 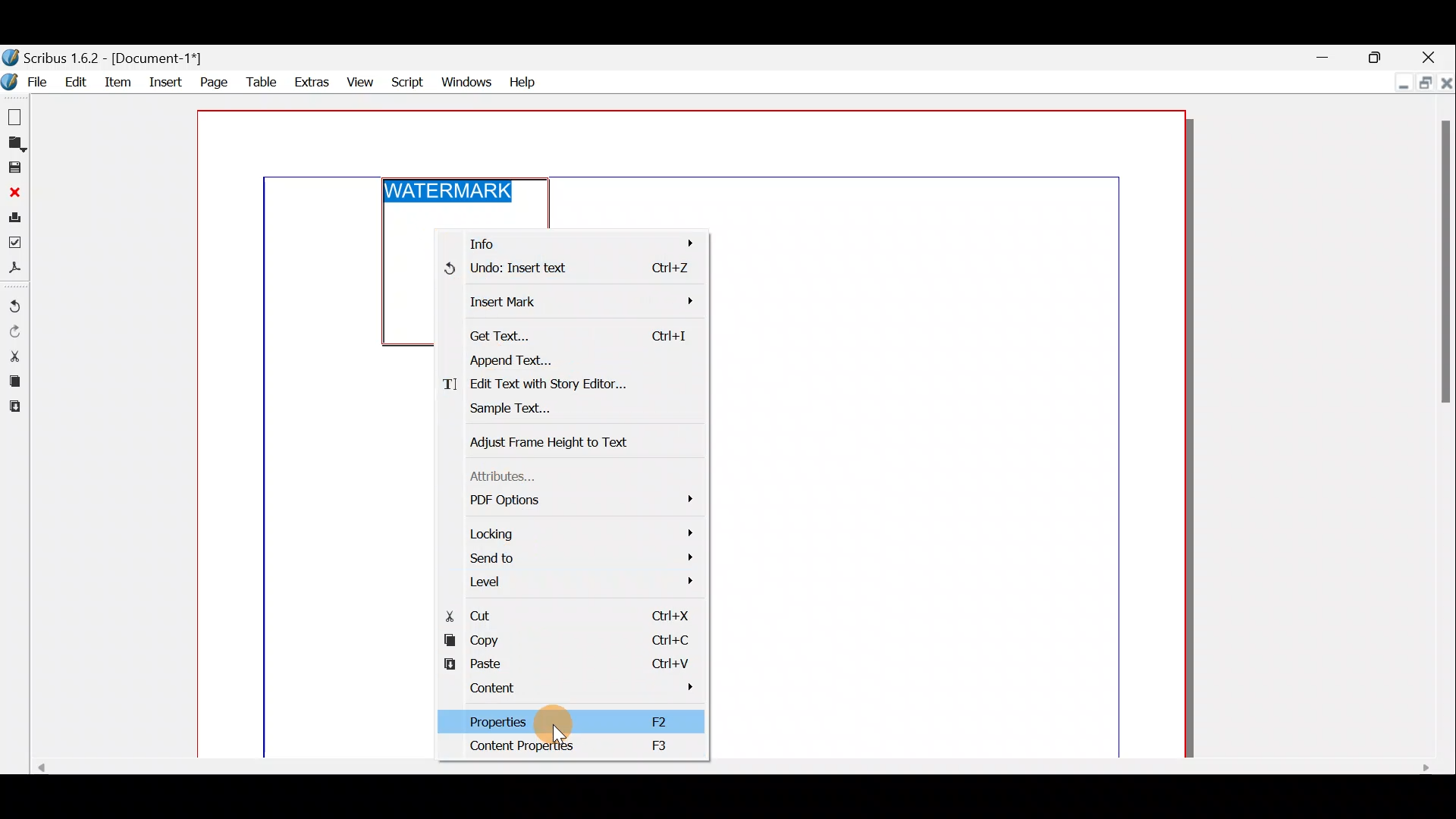 I want to click on WATERMARK, so click(x=452, y=190).